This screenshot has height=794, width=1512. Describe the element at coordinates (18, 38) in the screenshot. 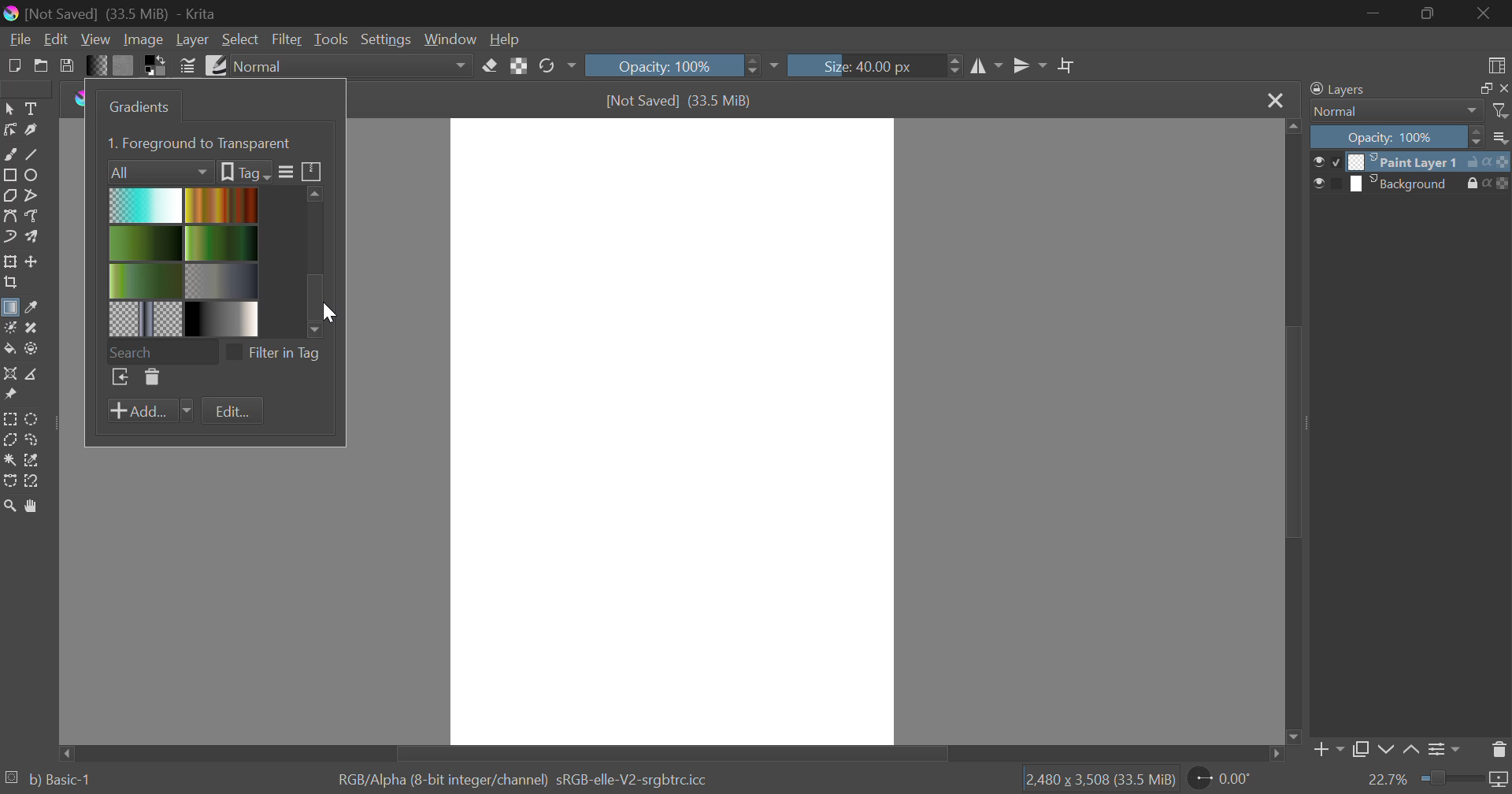

I see `File` at that location.